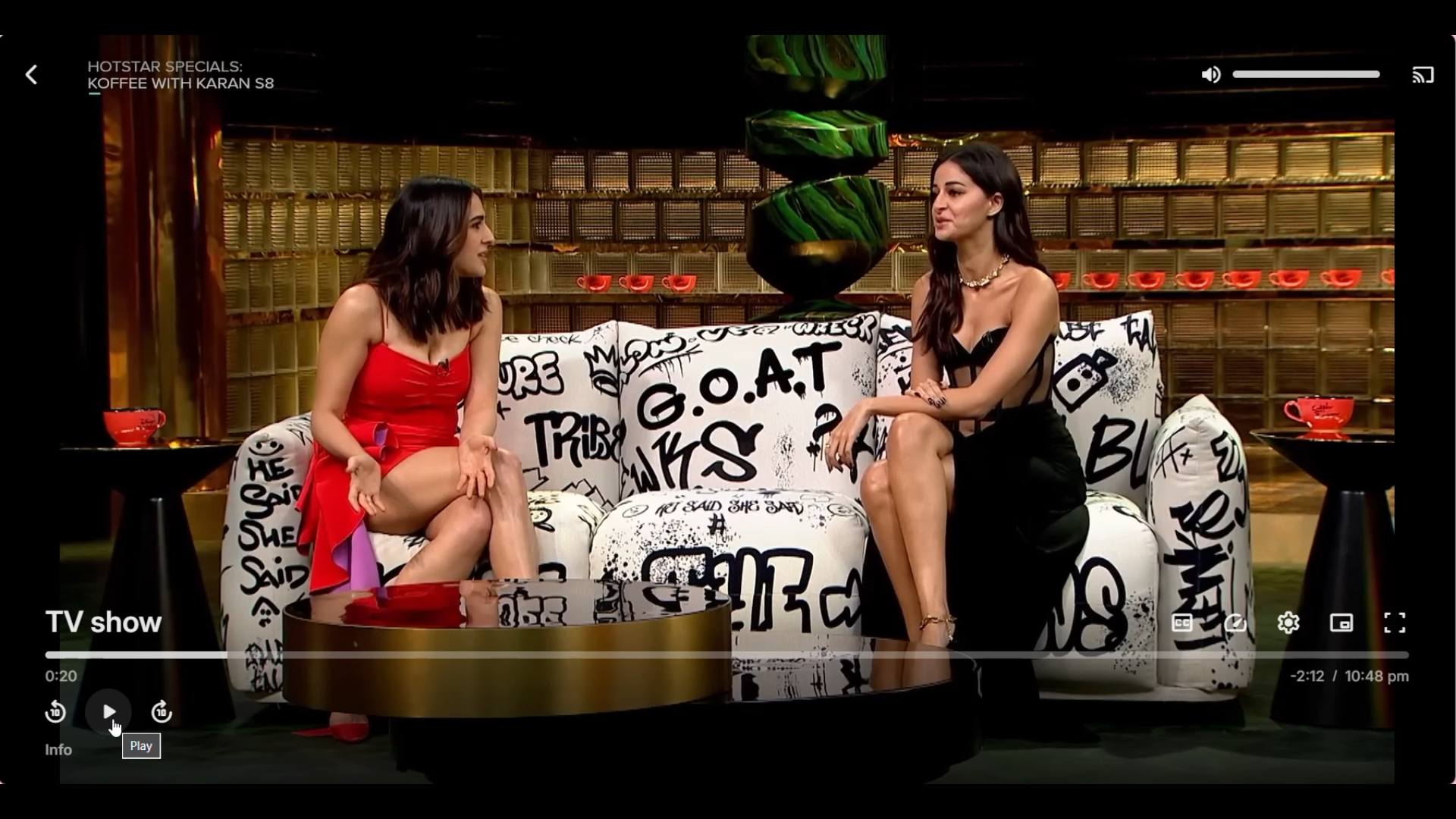 Image resolution: width=1456 pixels, height=819 pixels. What do you see at coordinates (109, 711) in the screenshot?
I see `Pause button changes to play button` at bounding box center [109, 711].